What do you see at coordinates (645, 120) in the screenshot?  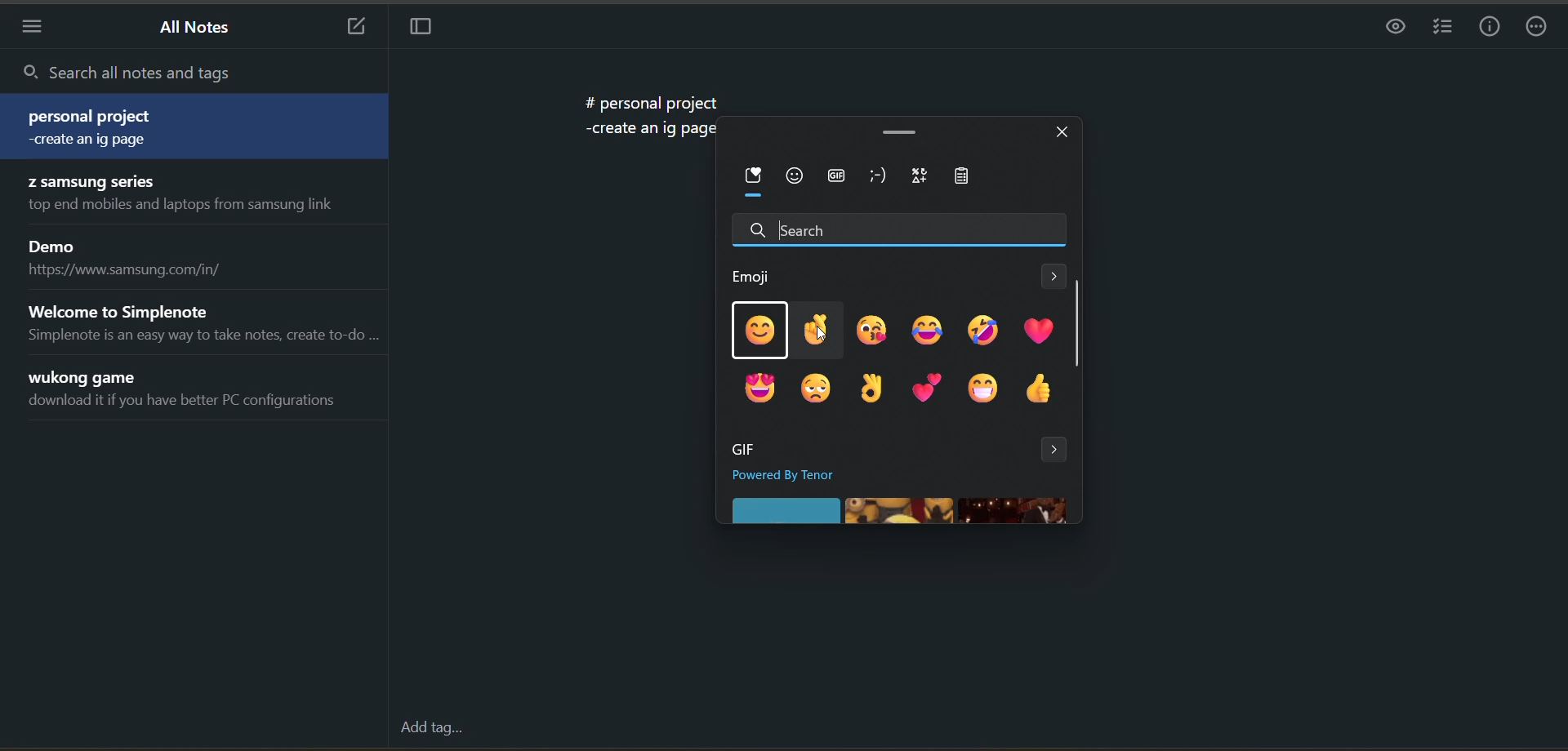 I see `# personal project
-create an ig page` at bounding box center [645, 120].